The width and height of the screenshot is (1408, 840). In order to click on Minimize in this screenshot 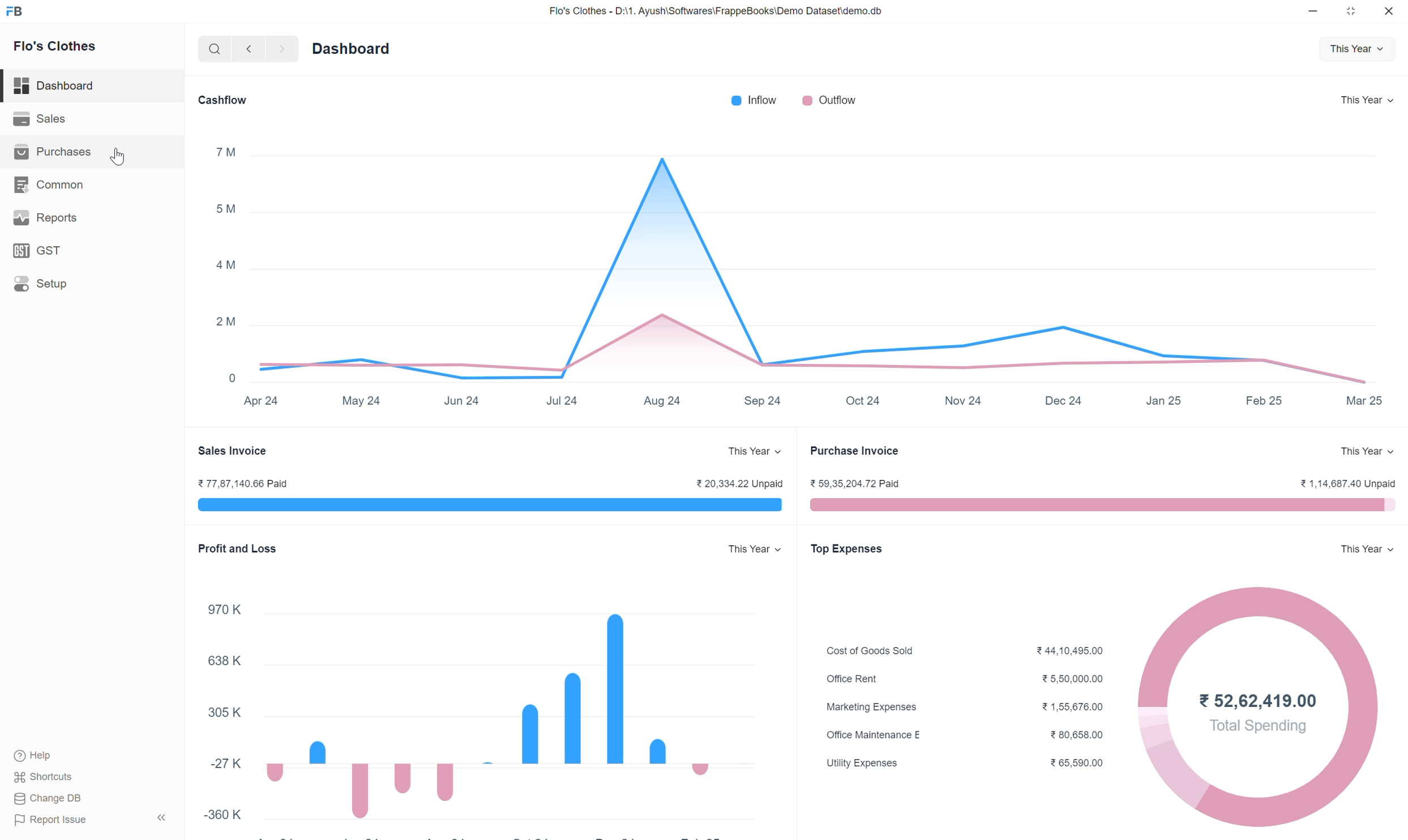, I will do `click(1313, 11)`.